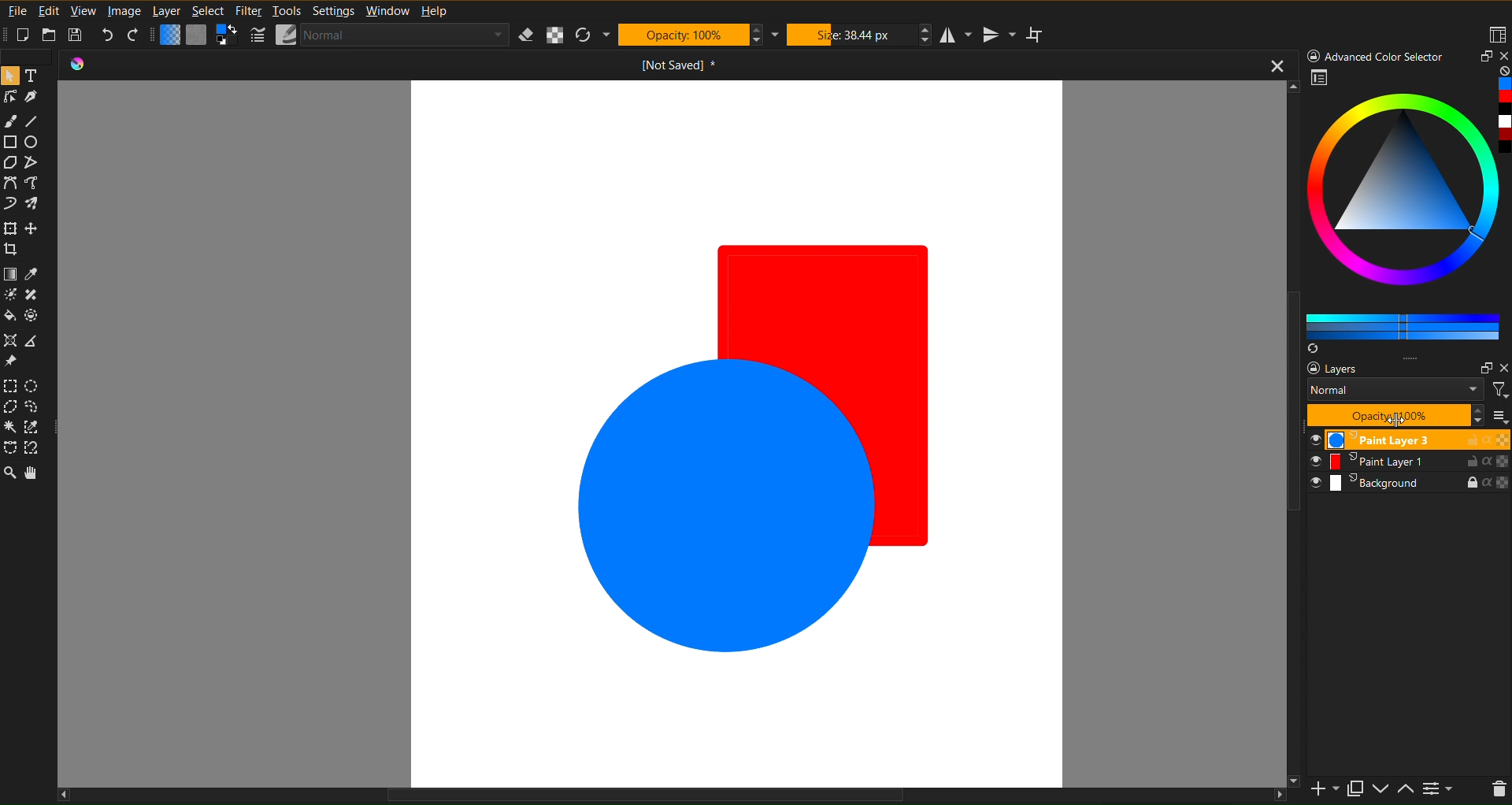 The width and height of the screenshot is (1512, 805). I want to click on Reference Tool, so click(13, 341).